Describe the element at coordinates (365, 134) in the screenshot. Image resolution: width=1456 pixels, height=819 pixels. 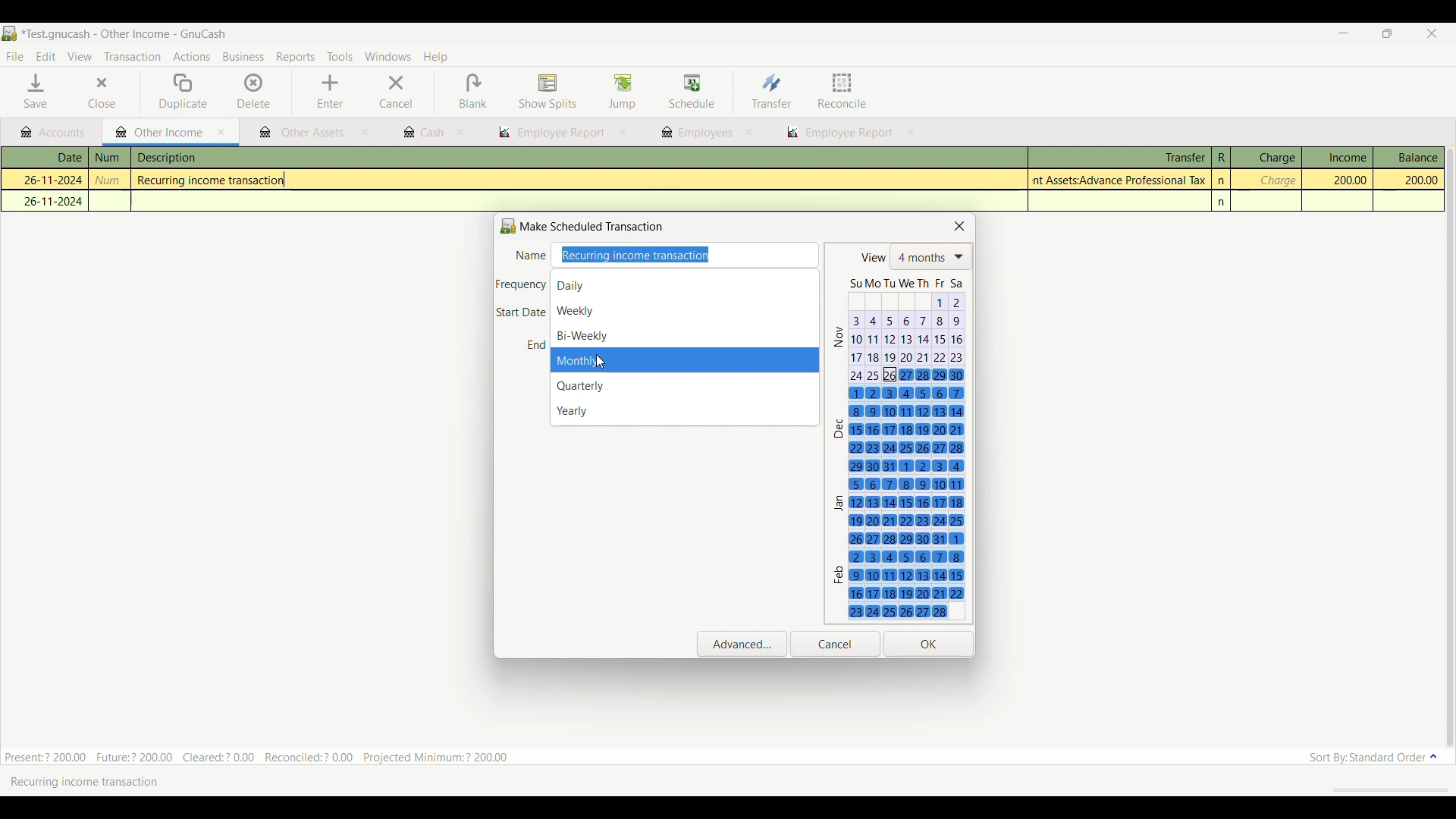
I see `close` at that location.